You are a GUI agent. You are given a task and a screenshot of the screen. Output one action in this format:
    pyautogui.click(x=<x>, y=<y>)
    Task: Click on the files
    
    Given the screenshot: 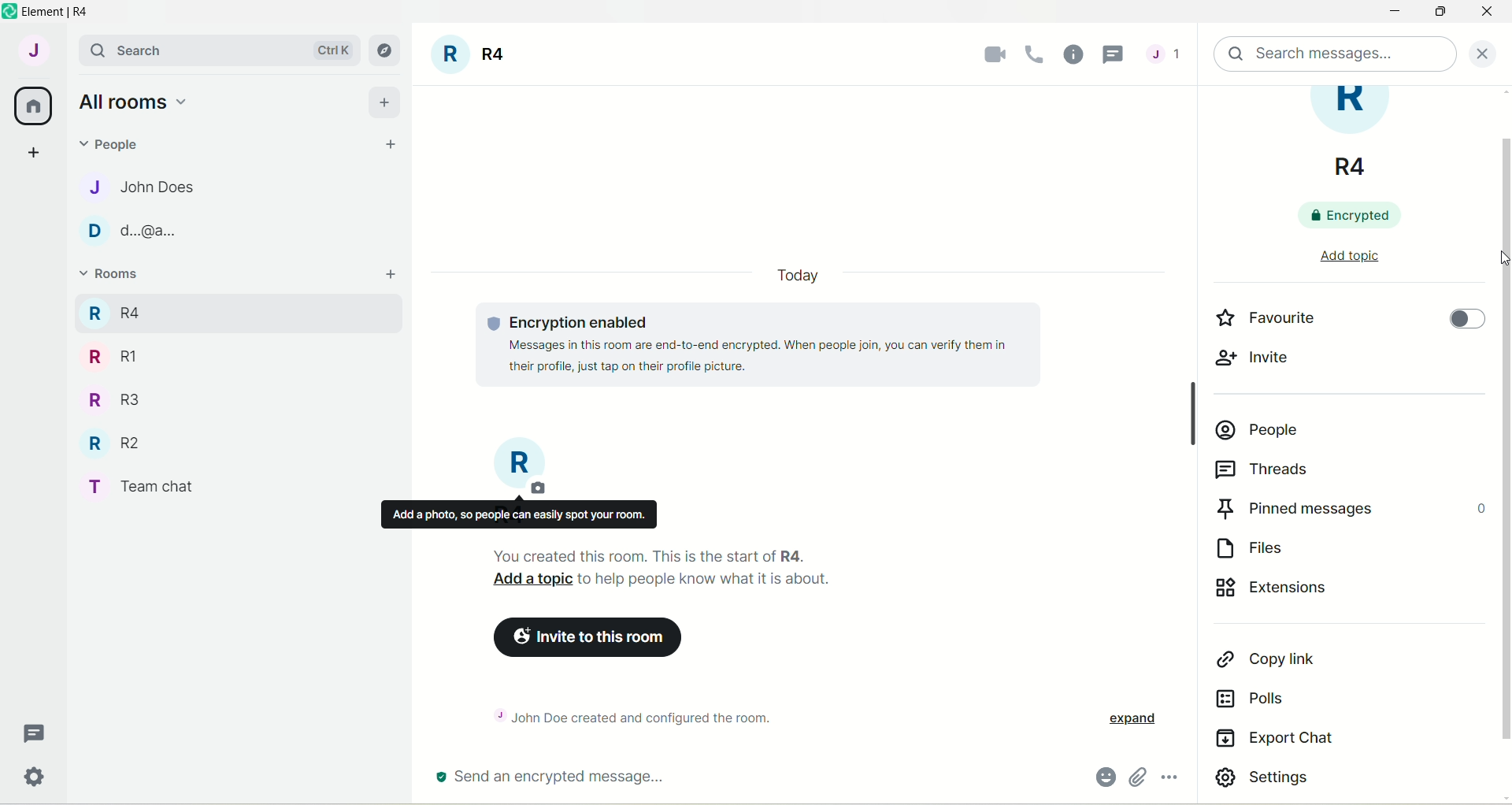 What is the action you would take?
    pyautogui.click(x=1262, y=545)
    